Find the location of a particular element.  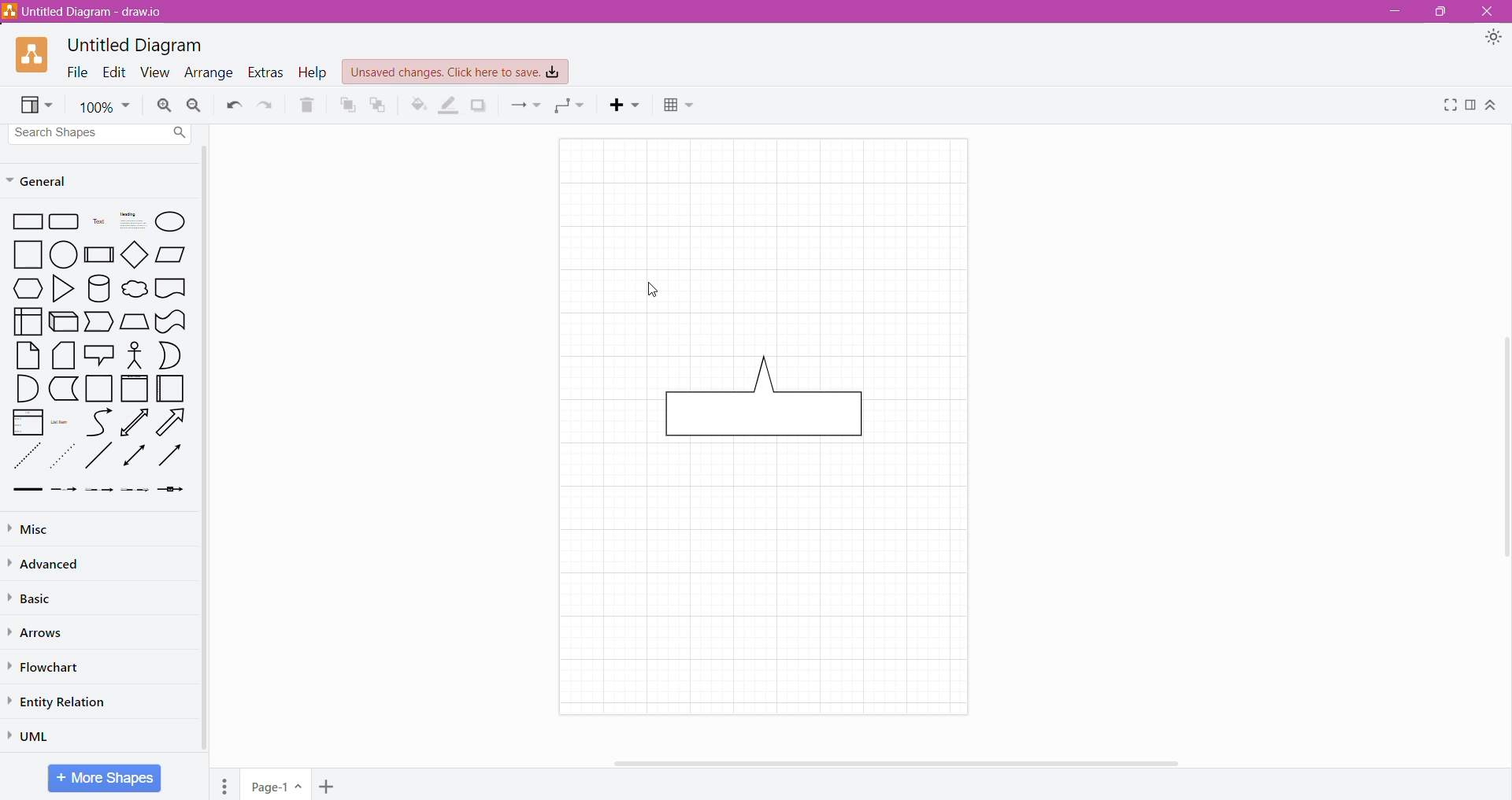

Minimize is located at coordinates (1392, 12).